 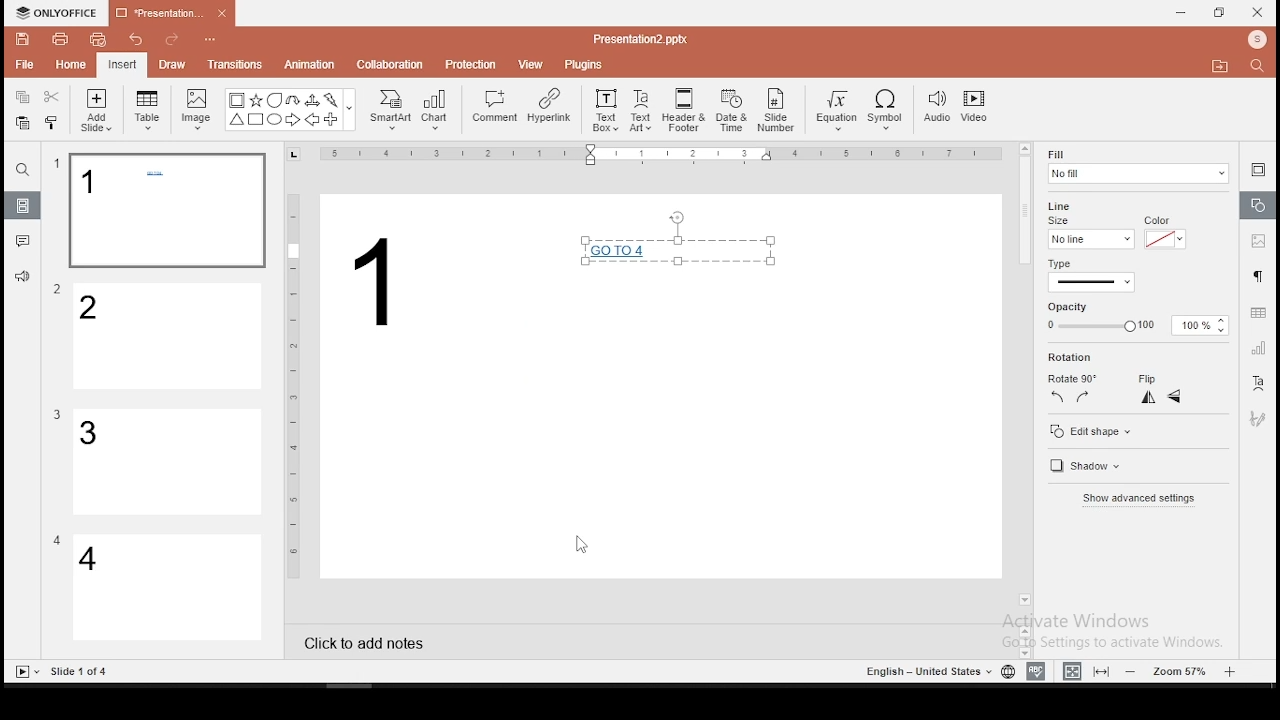 I want to click on , so click(x=350, y=111).